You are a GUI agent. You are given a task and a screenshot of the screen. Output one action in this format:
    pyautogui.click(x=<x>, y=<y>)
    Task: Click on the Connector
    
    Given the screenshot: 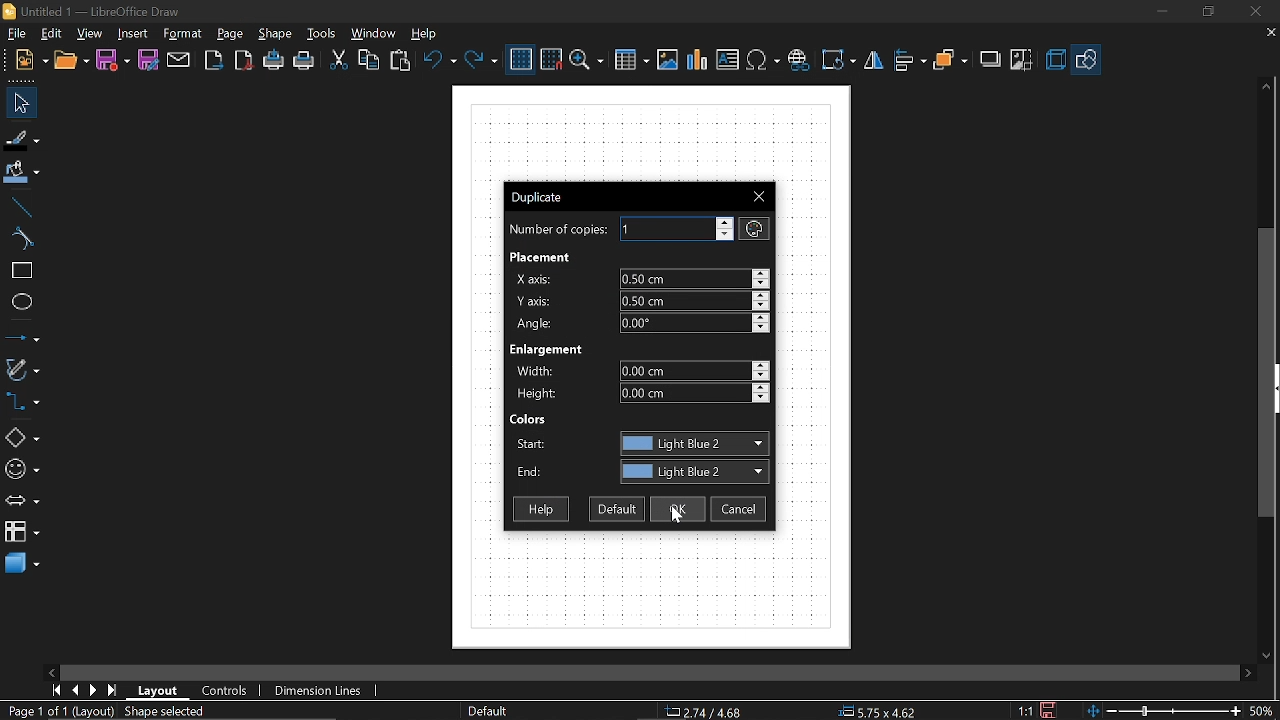 What is the action you would take?
    pyautogui.click(x=22, y=401)
    